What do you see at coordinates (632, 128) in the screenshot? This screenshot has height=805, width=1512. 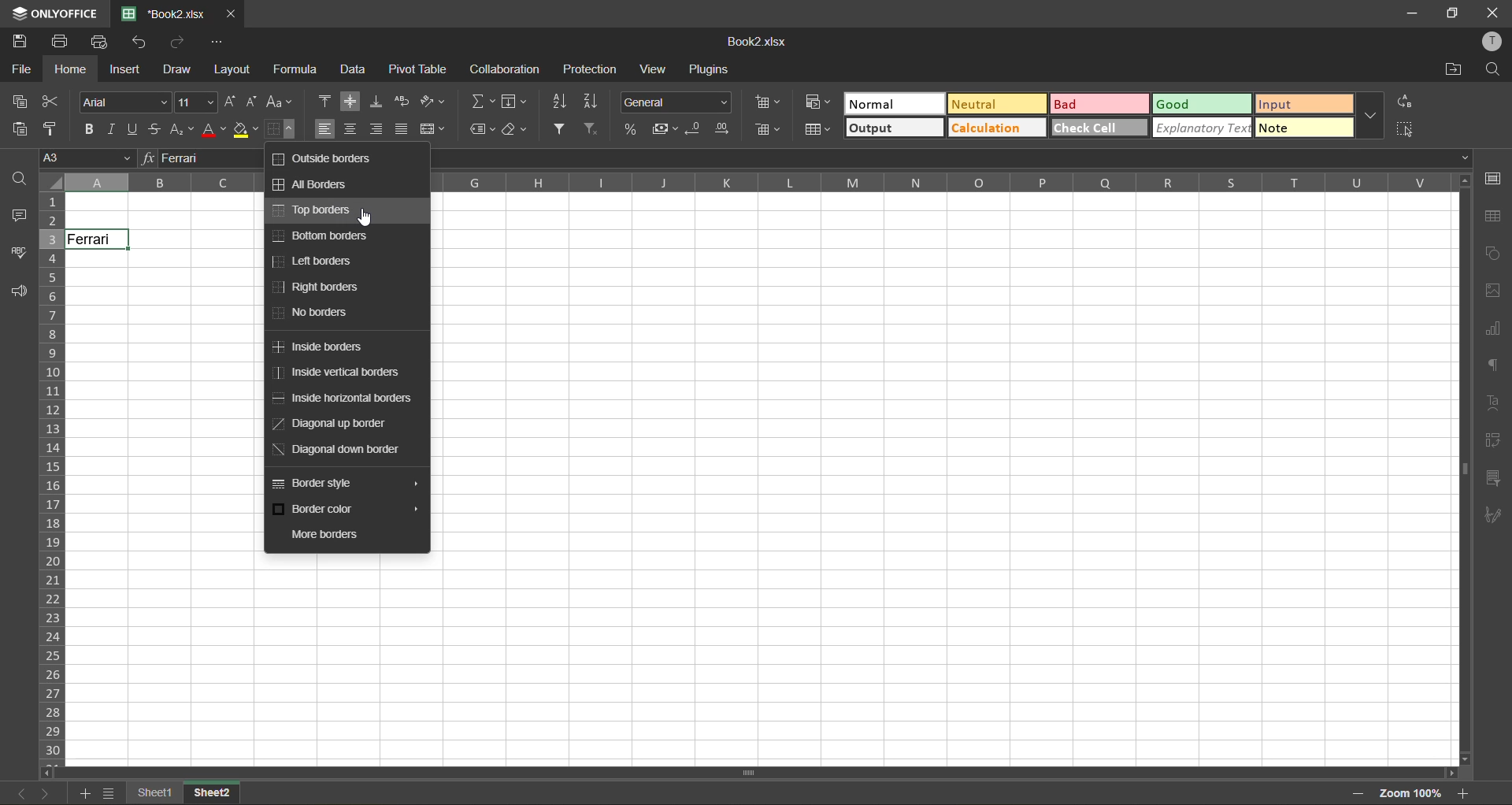 I see `percent` at bounding box center [632, 128].